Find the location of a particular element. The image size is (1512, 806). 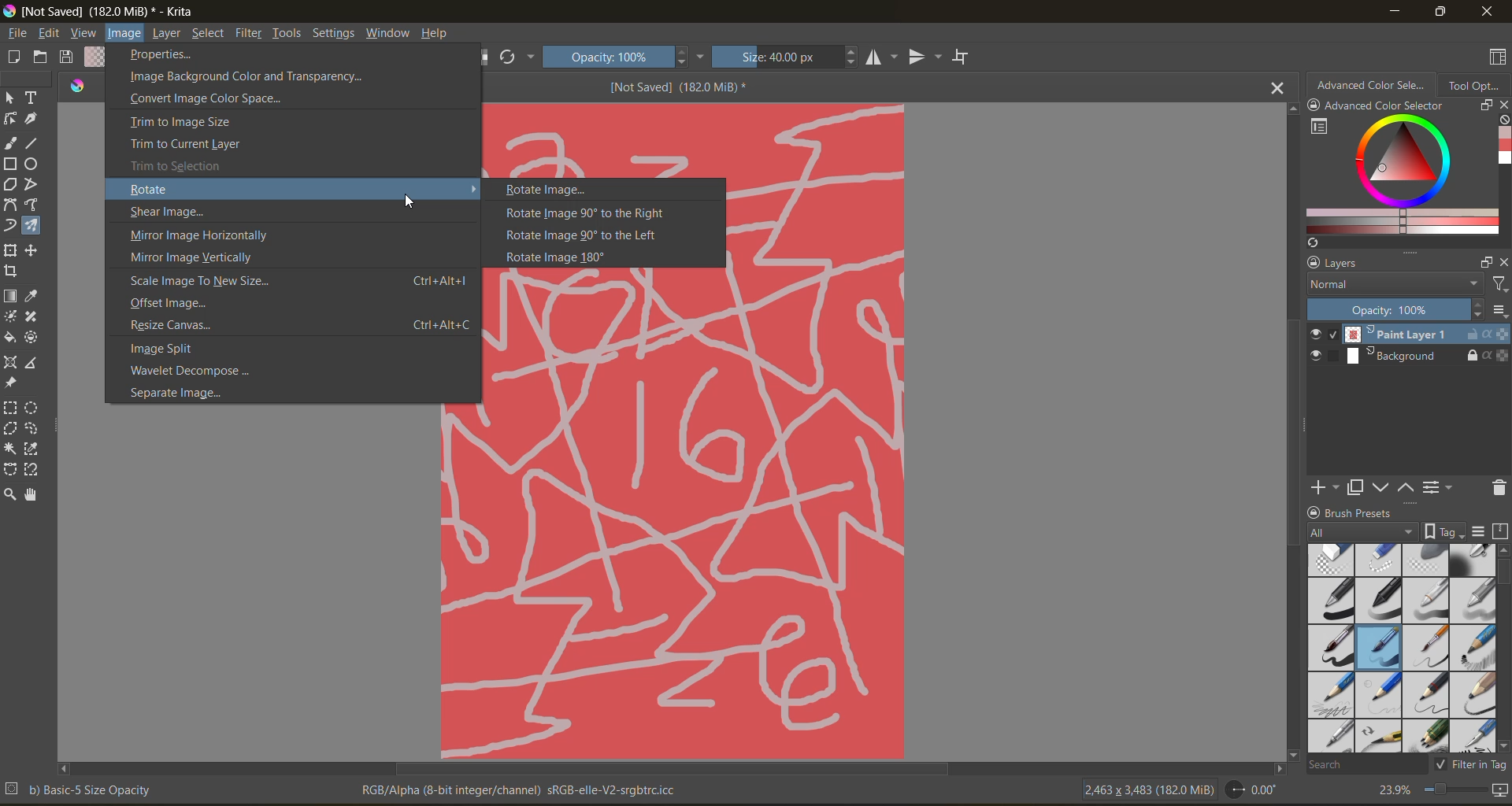

Scroll right is located at coordinates (1276, 767).